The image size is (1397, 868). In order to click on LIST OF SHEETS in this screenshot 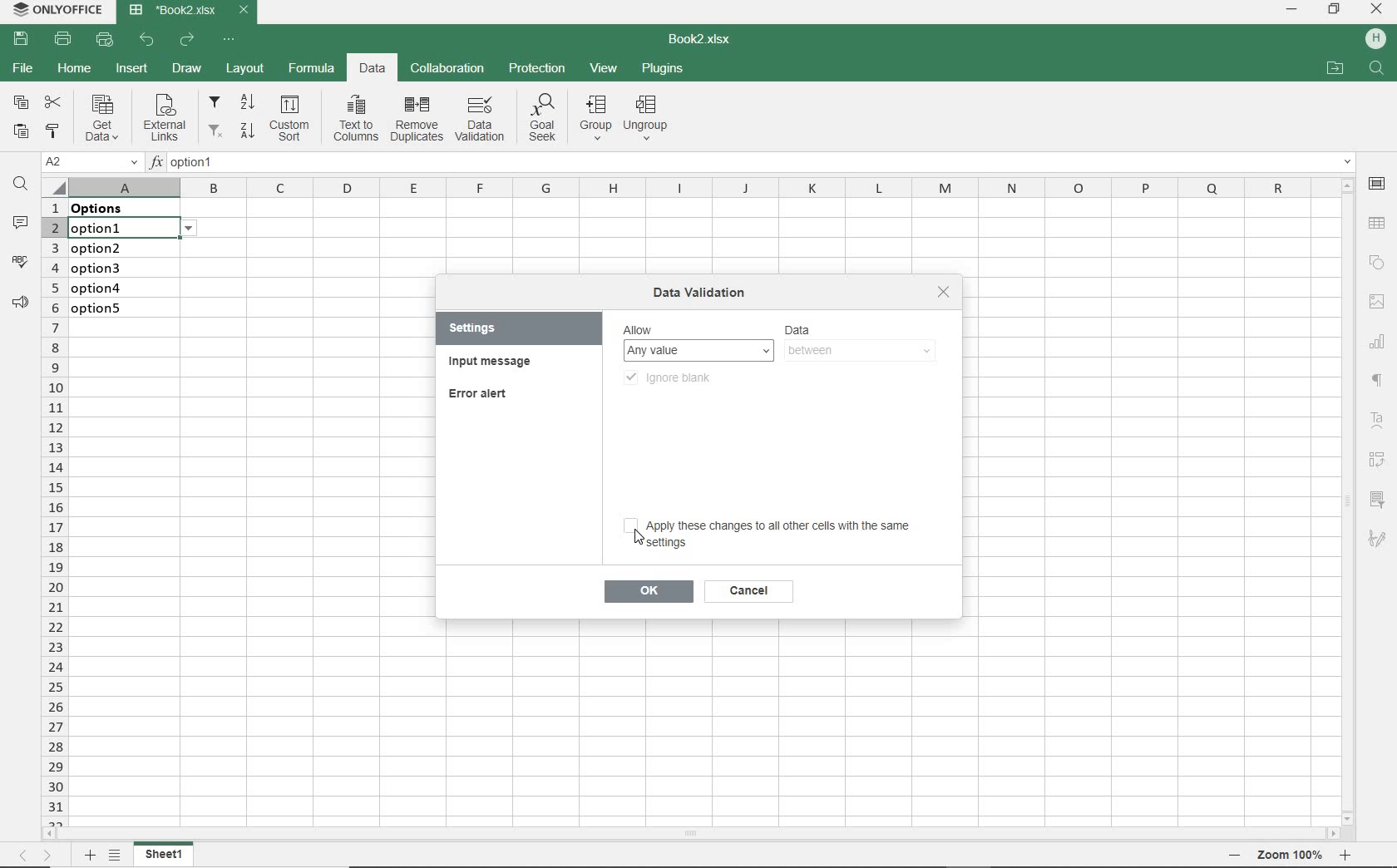, I will do `click(114, 856)`.